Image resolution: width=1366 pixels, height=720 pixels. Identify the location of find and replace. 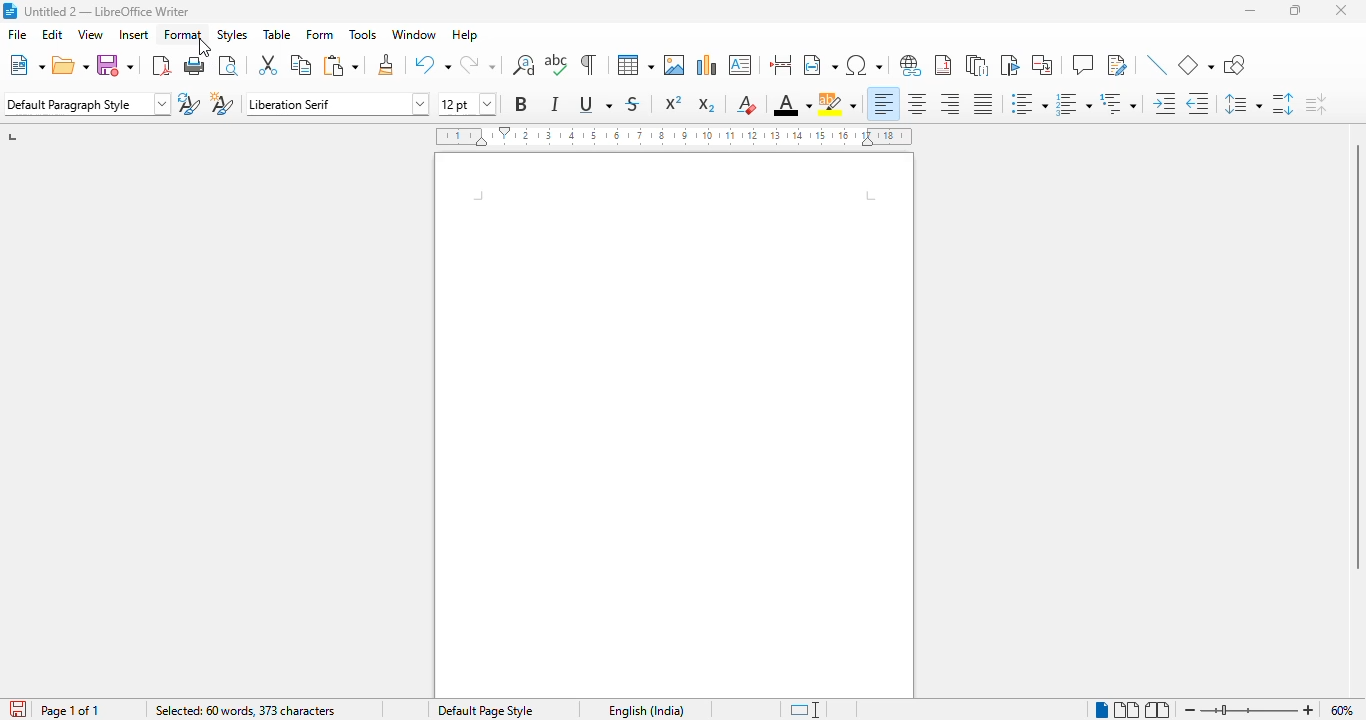
(524, 64).